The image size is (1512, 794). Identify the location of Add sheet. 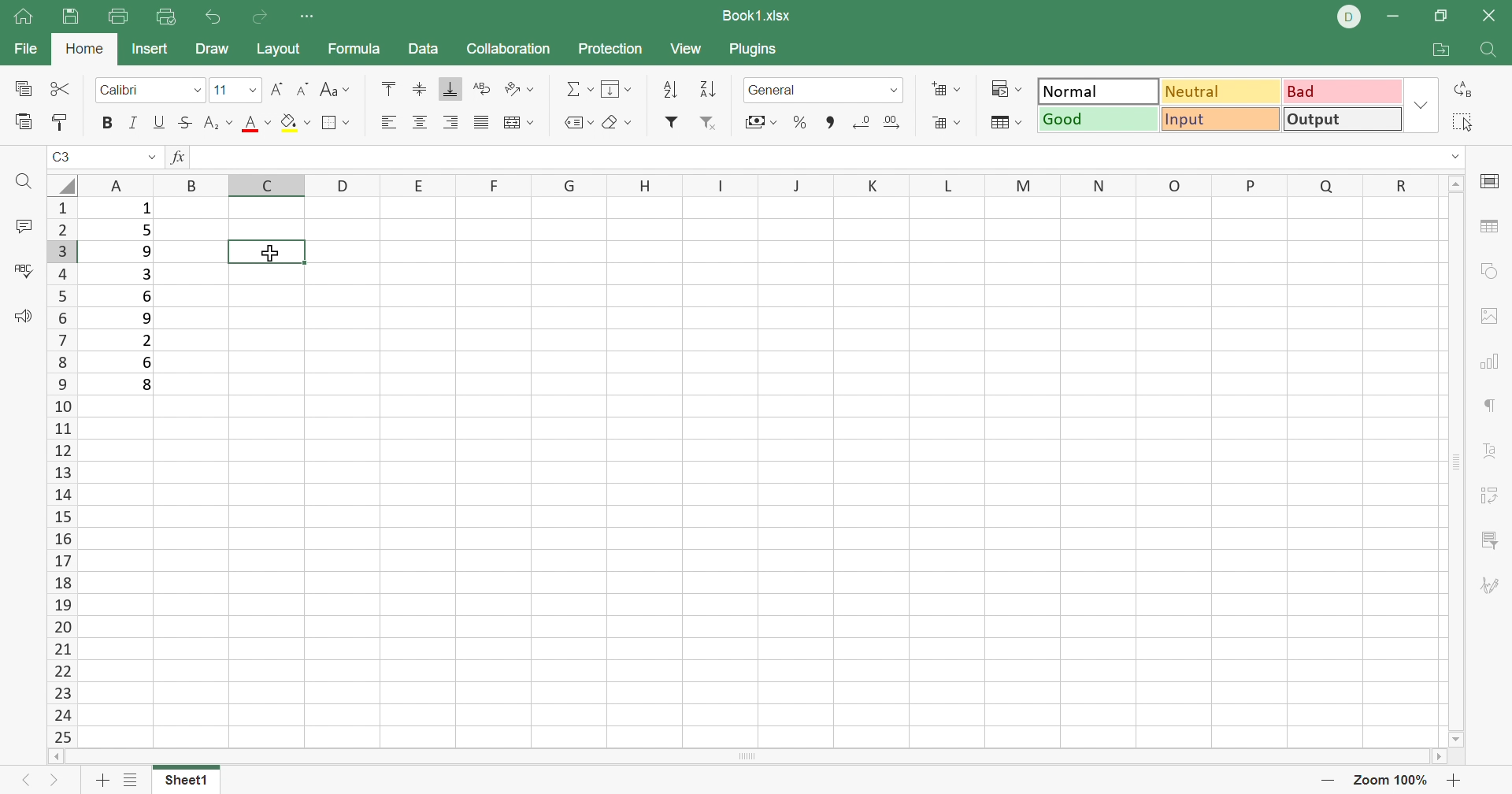
(102, 781).